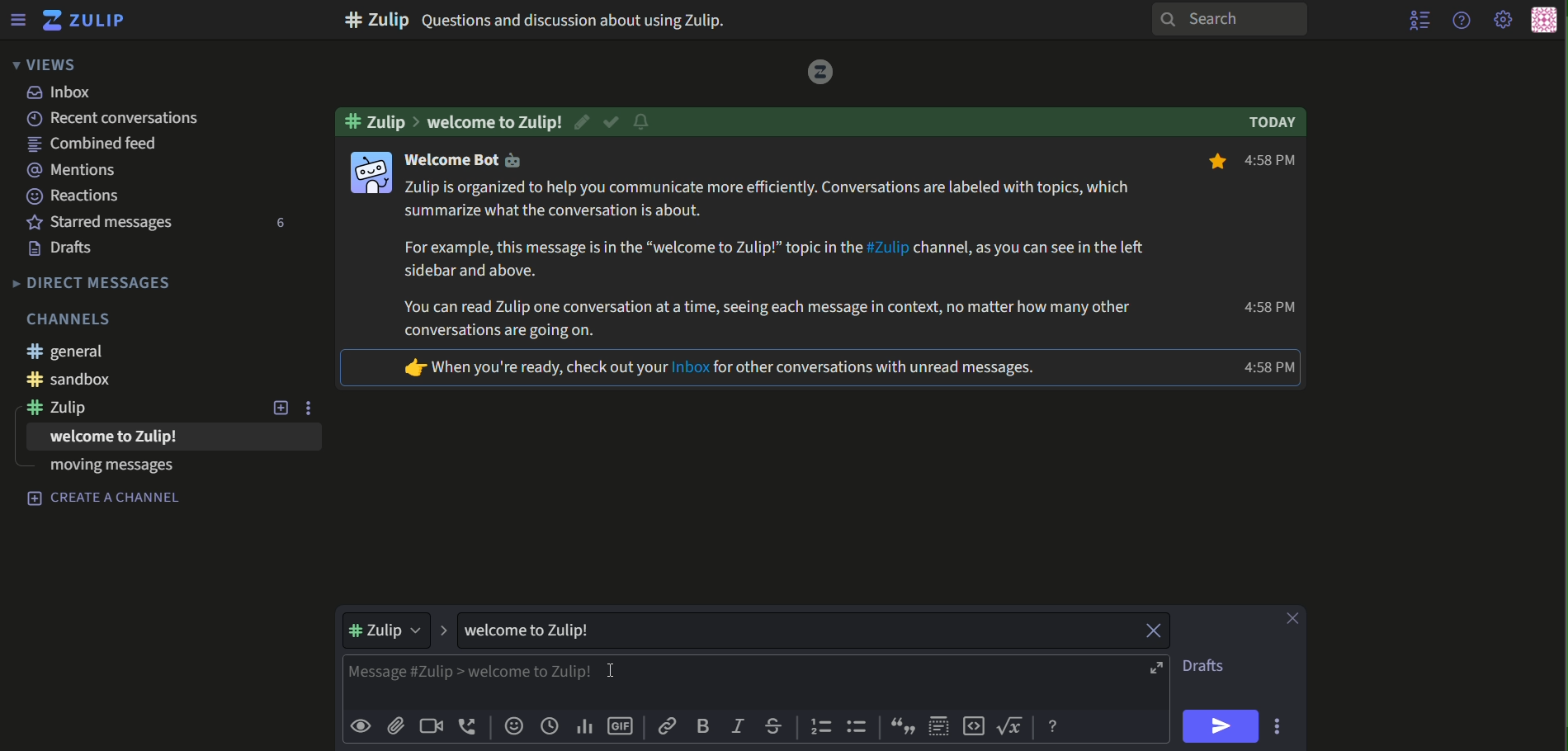 This screenshot has width=1568, height=751. I want to click on text, so click(63, 93).